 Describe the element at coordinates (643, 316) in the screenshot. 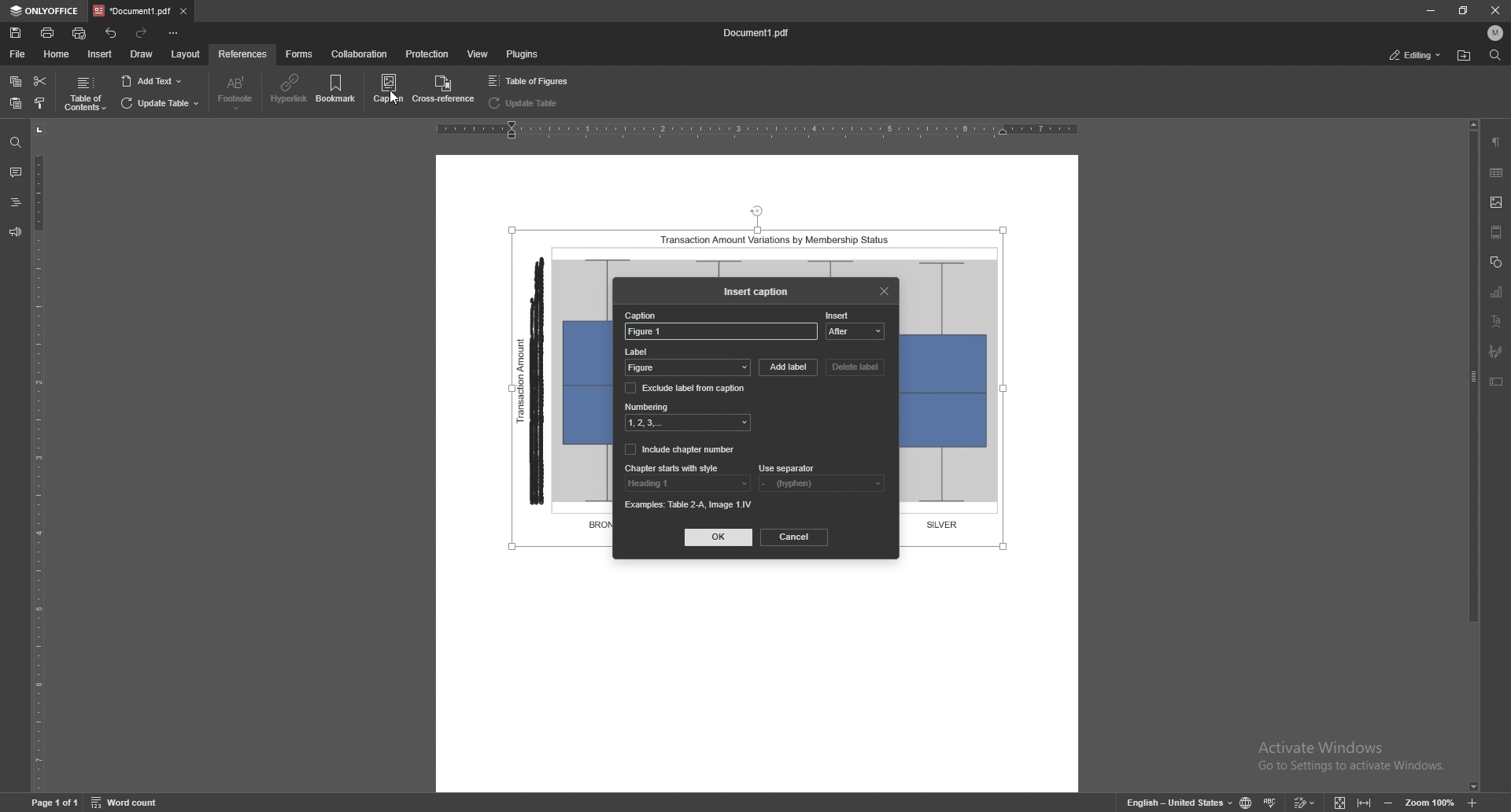

I see `caption` at that location.